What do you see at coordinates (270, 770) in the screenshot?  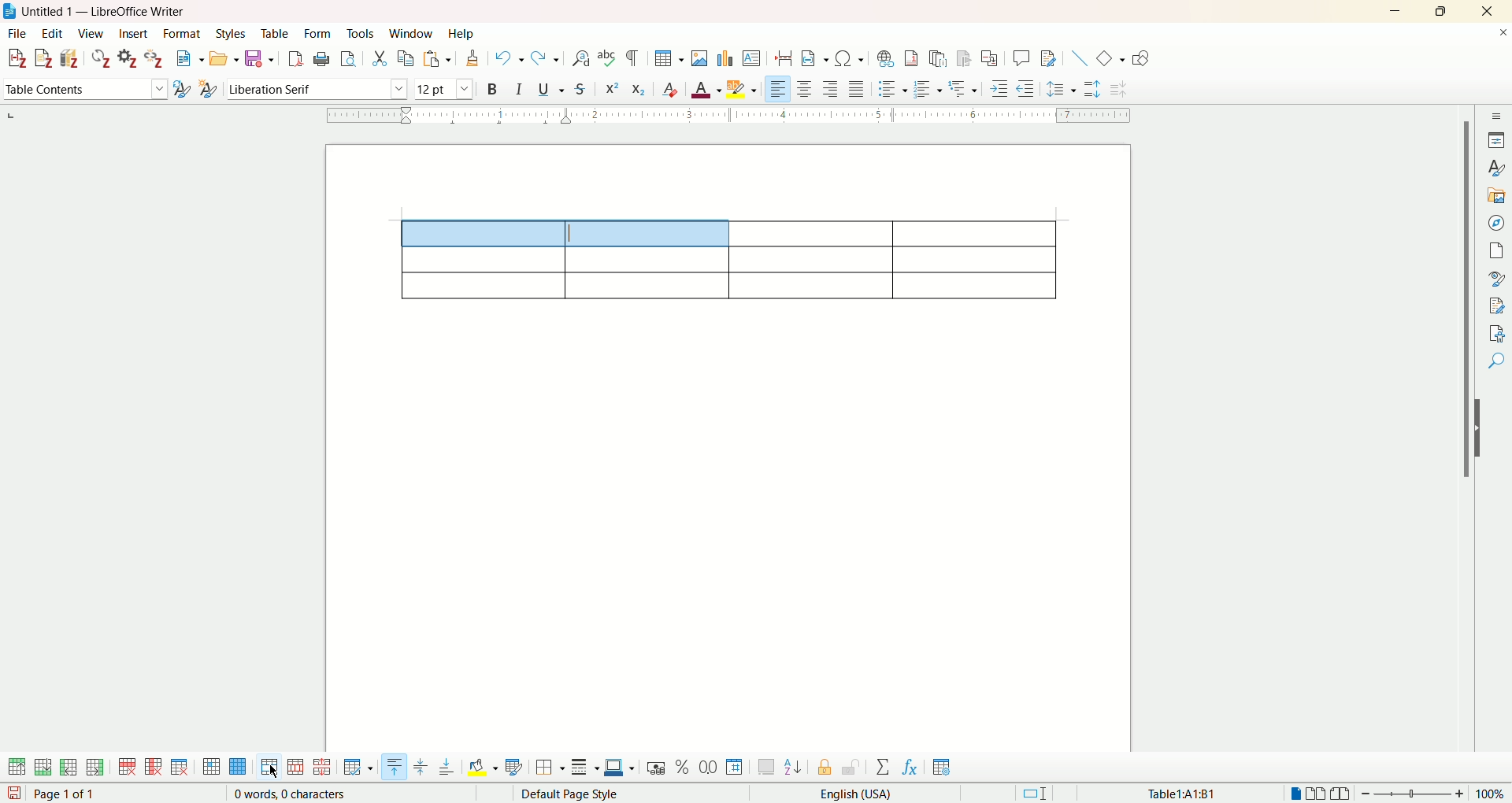 I see `merge cells` at bounding box center [270, 770].